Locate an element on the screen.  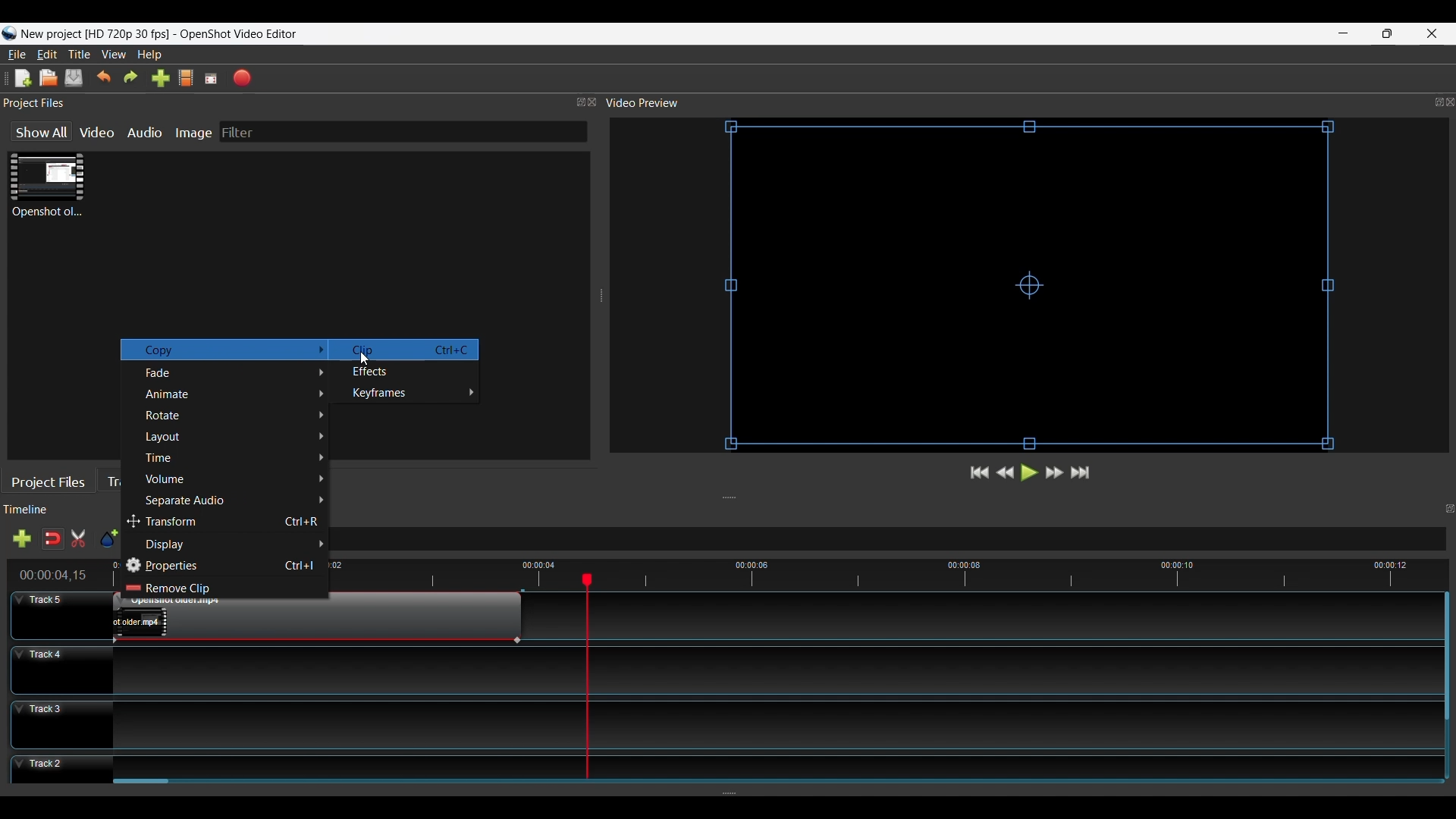
Rotate is located at coordinates (234, 416).